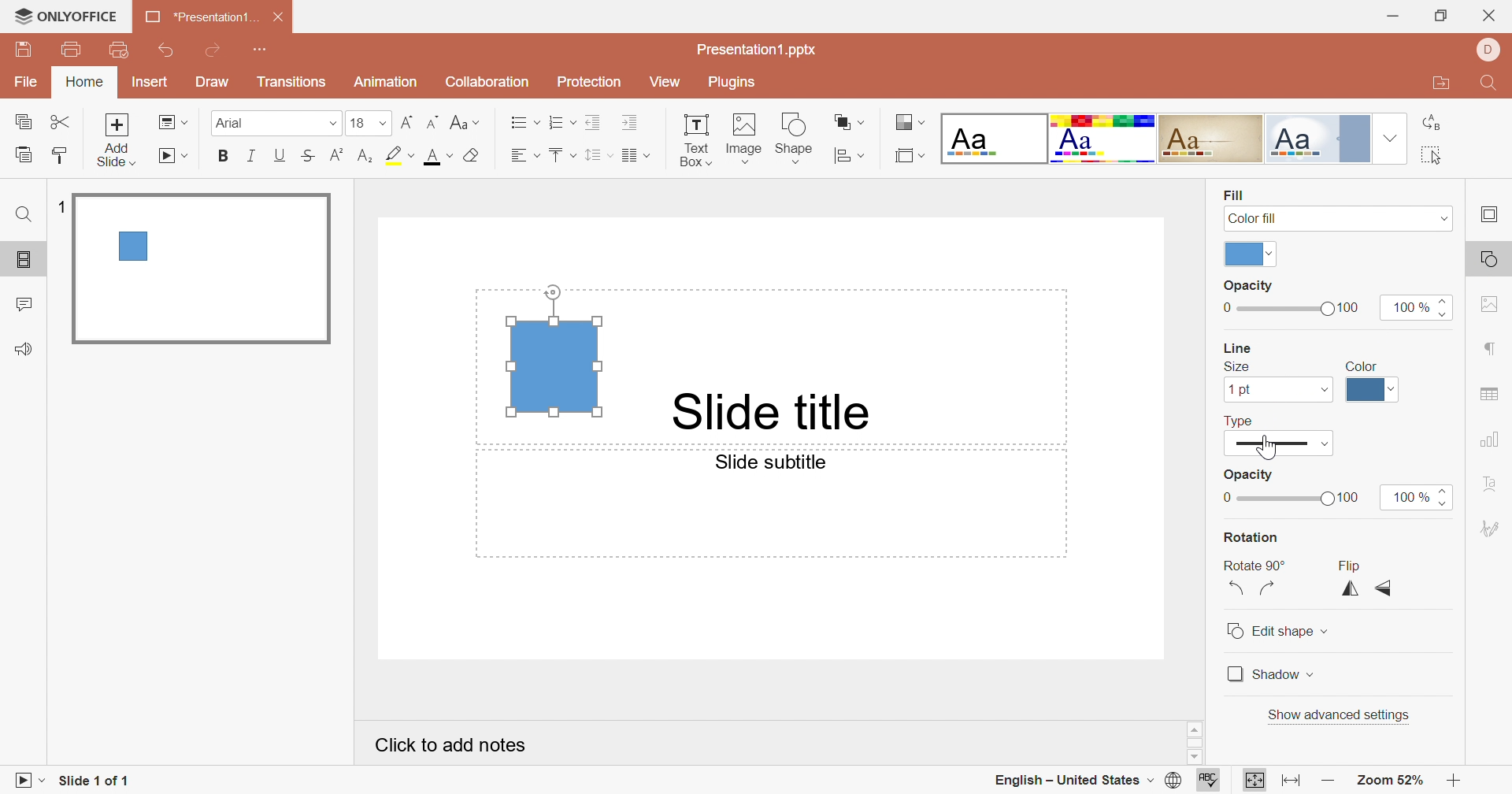  What do you see at coordinates (1392, 781) in the screenshot?
I see `Zoom 57%` at bounding box center [1392, 781].